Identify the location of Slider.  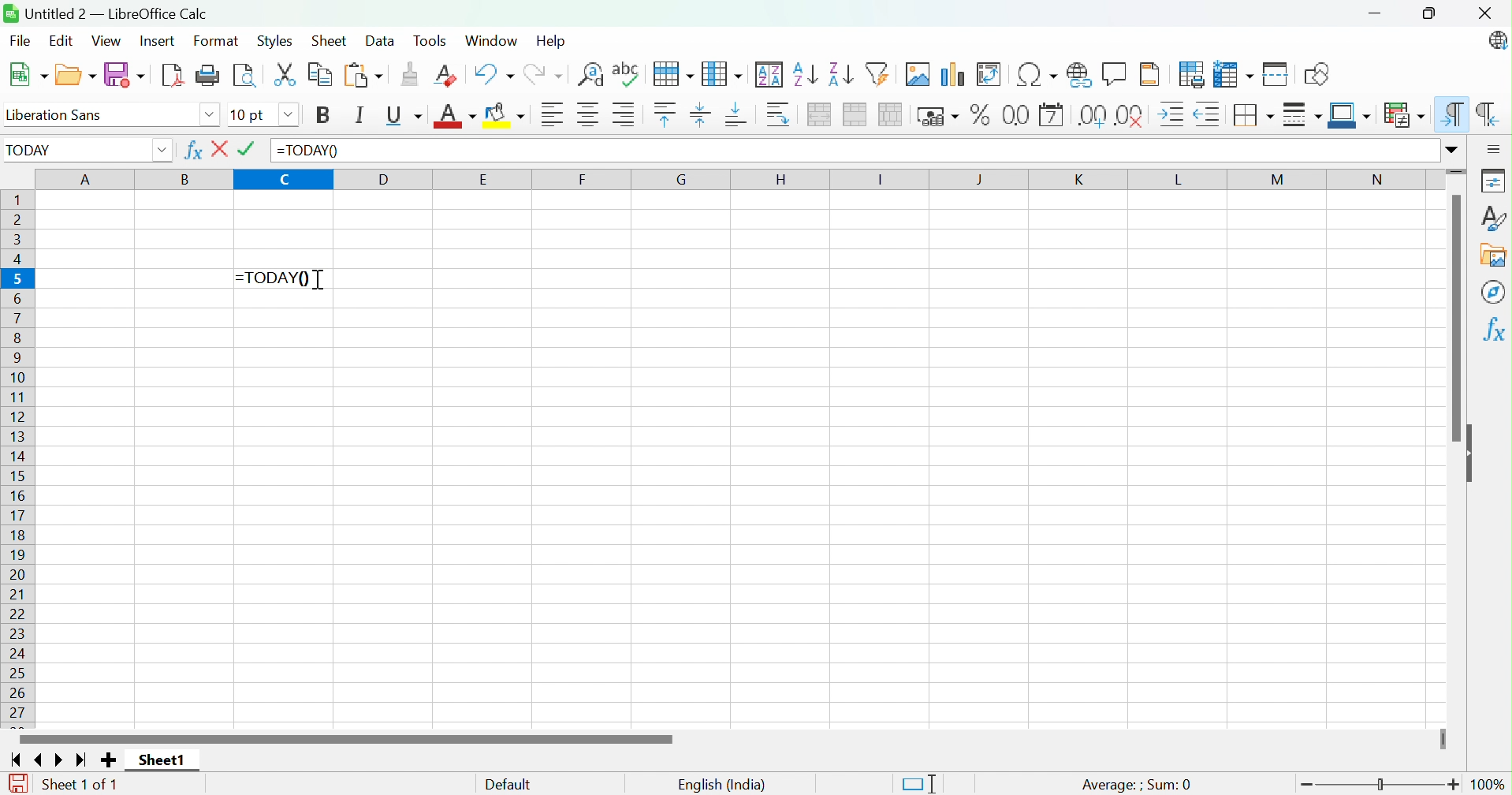
(1381, 786).